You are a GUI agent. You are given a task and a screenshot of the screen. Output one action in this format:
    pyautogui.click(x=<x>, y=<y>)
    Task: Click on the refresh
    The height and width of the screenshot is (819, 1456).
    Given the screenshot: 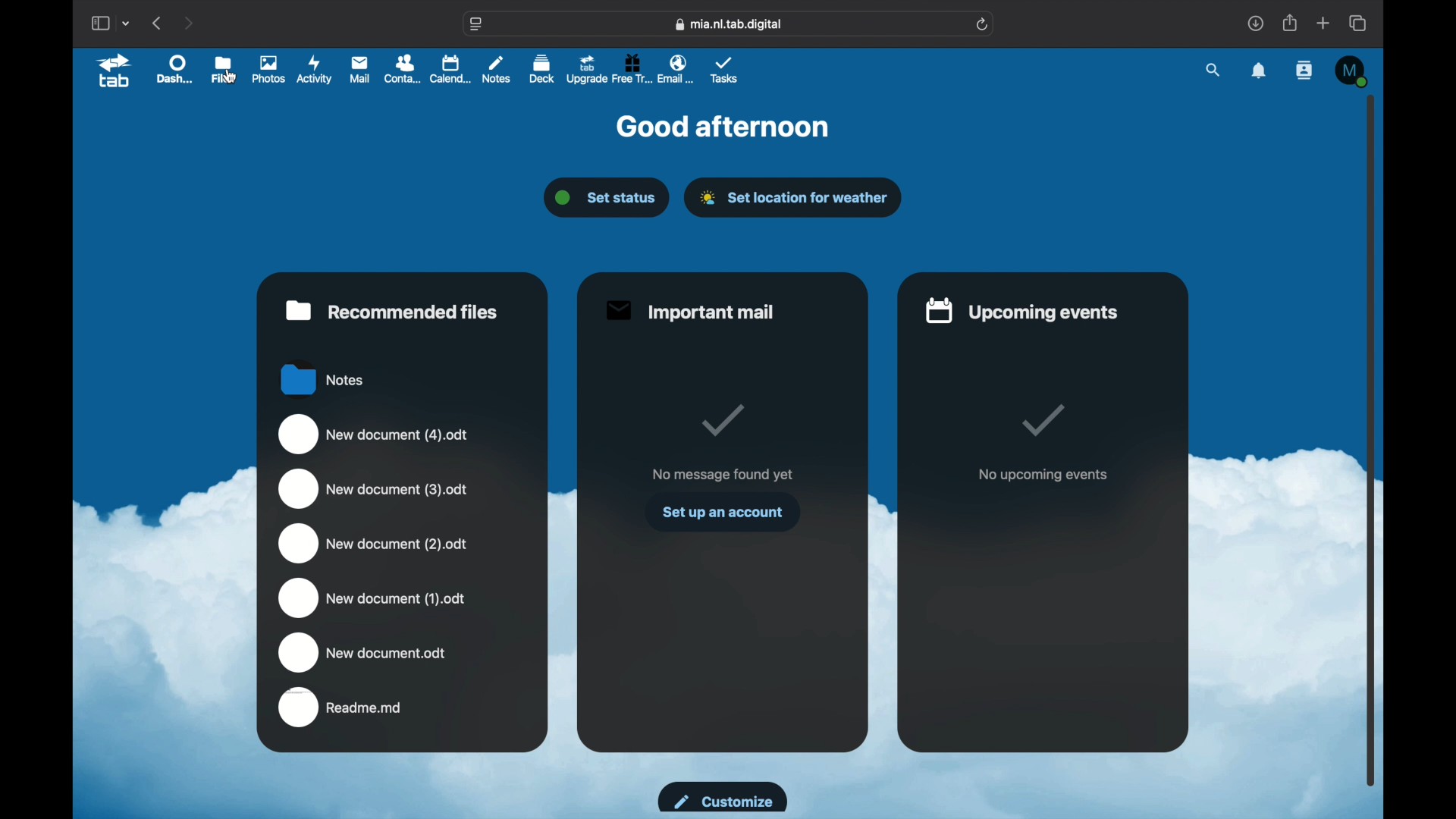 What is the action you would take?
    pyautogui.click(x=982, y=25)
    